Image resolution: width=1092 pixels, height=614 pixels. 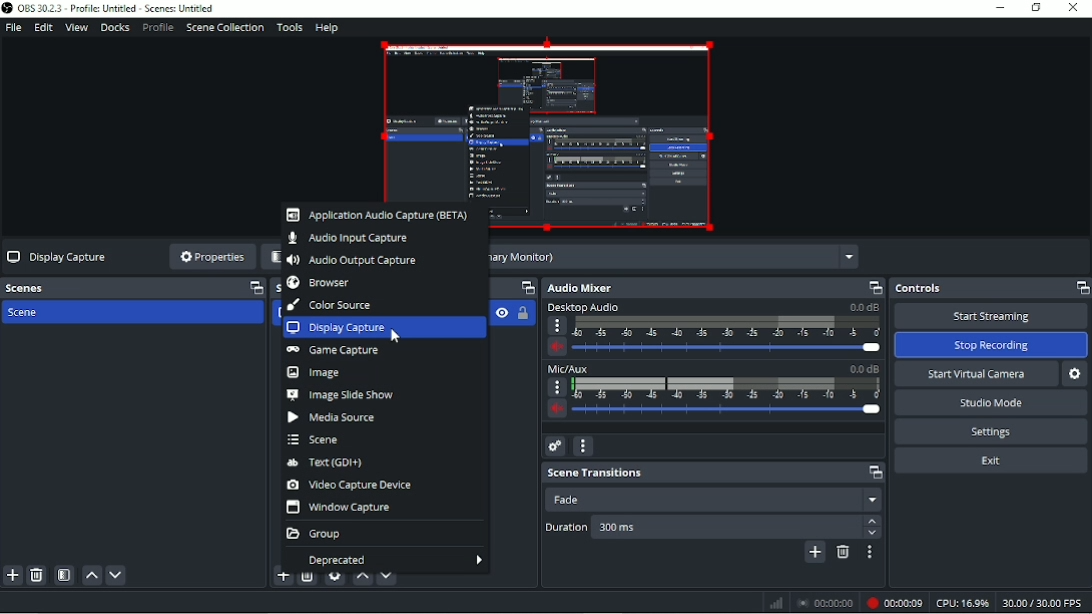 I want to click on Lock, so click(x=522, y=313).